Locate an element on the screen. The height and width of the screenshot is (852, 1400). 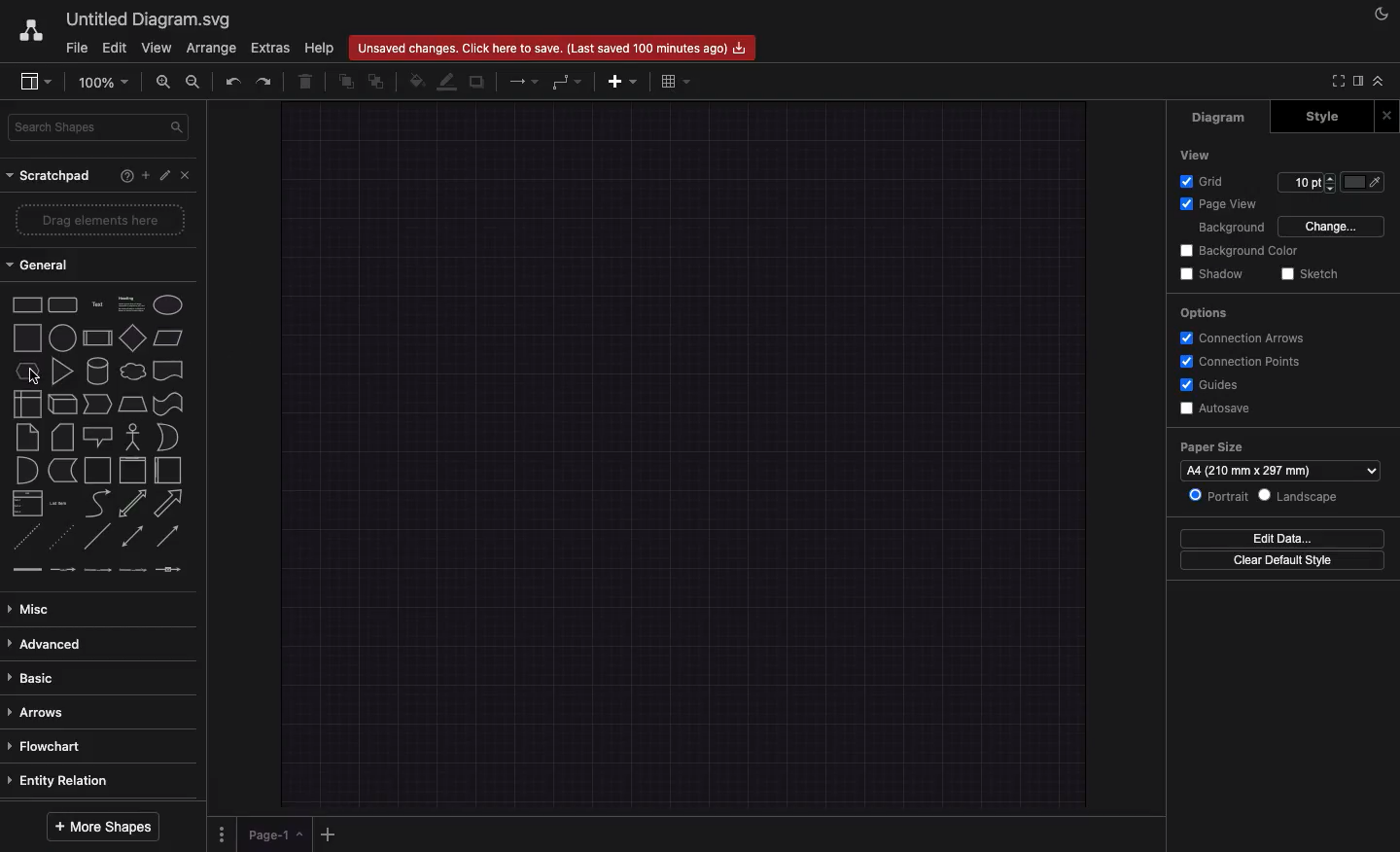
Zoom is located at coordinates (103, 86).